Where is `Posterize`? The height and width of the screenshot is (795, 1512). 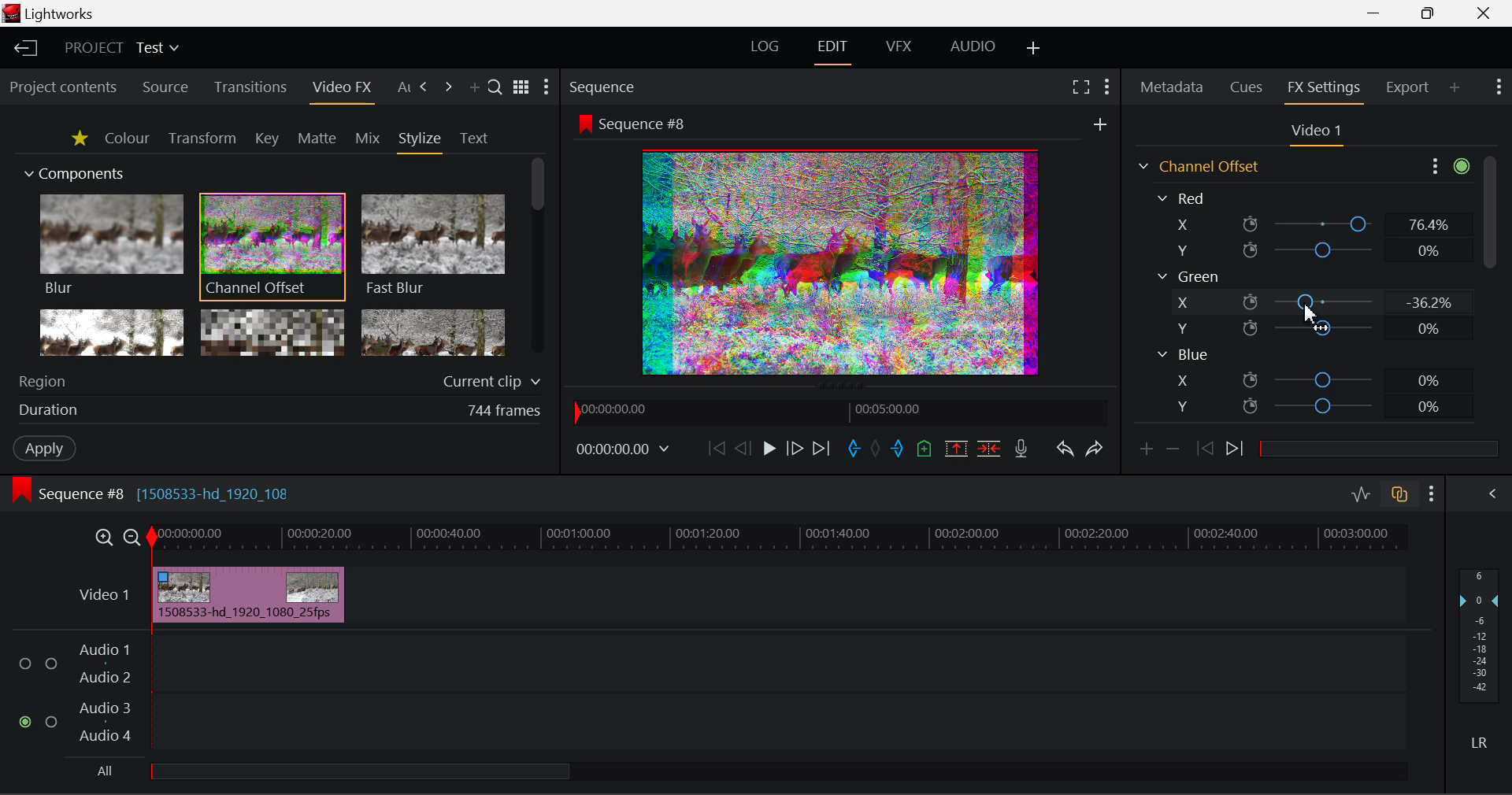 Posterize is located at coordinates (433, 331).